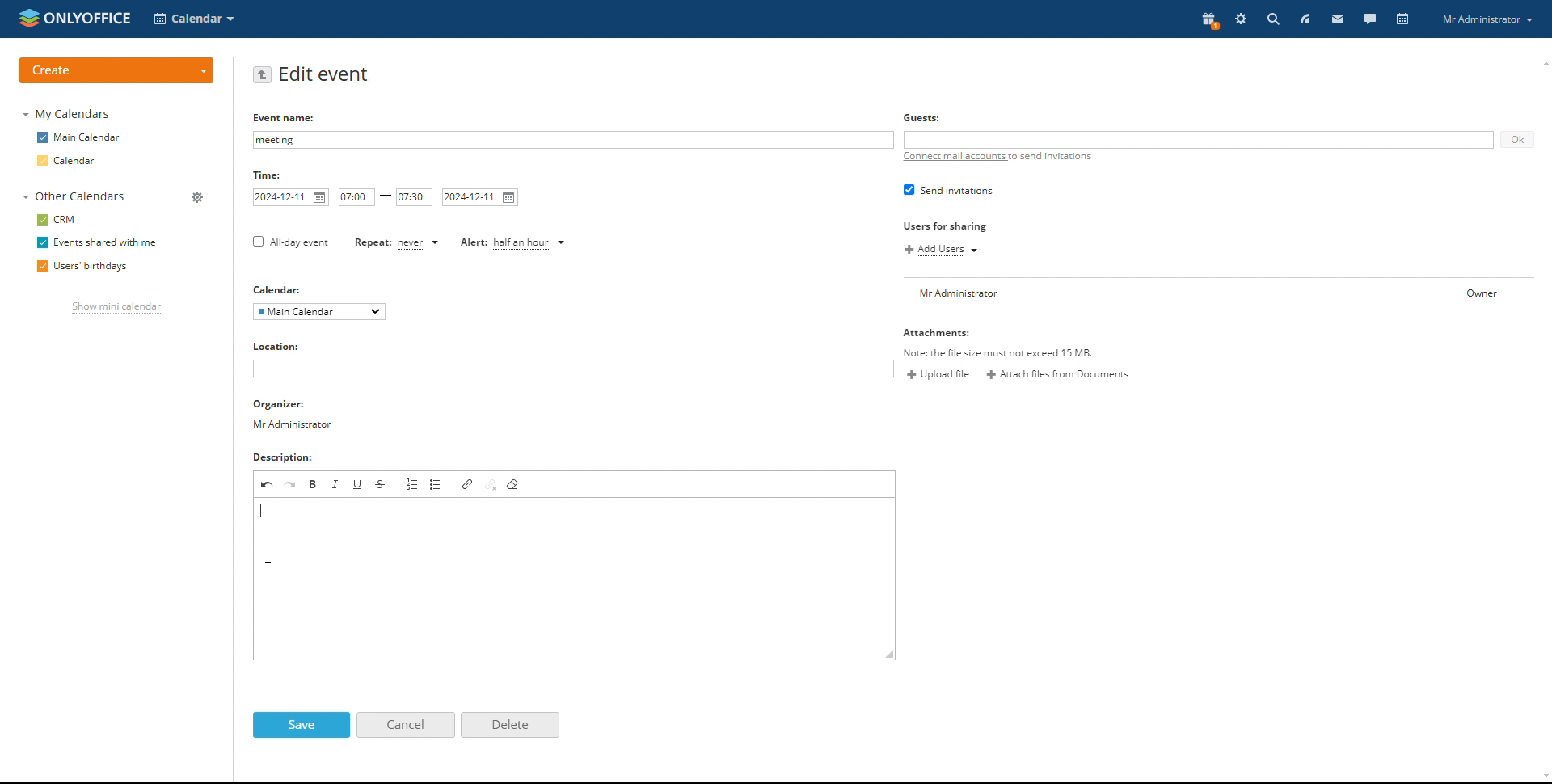  What do you see at coordinates (938, 375) in the screenshot?
I see `upload file` at bounding box center [938, 375].